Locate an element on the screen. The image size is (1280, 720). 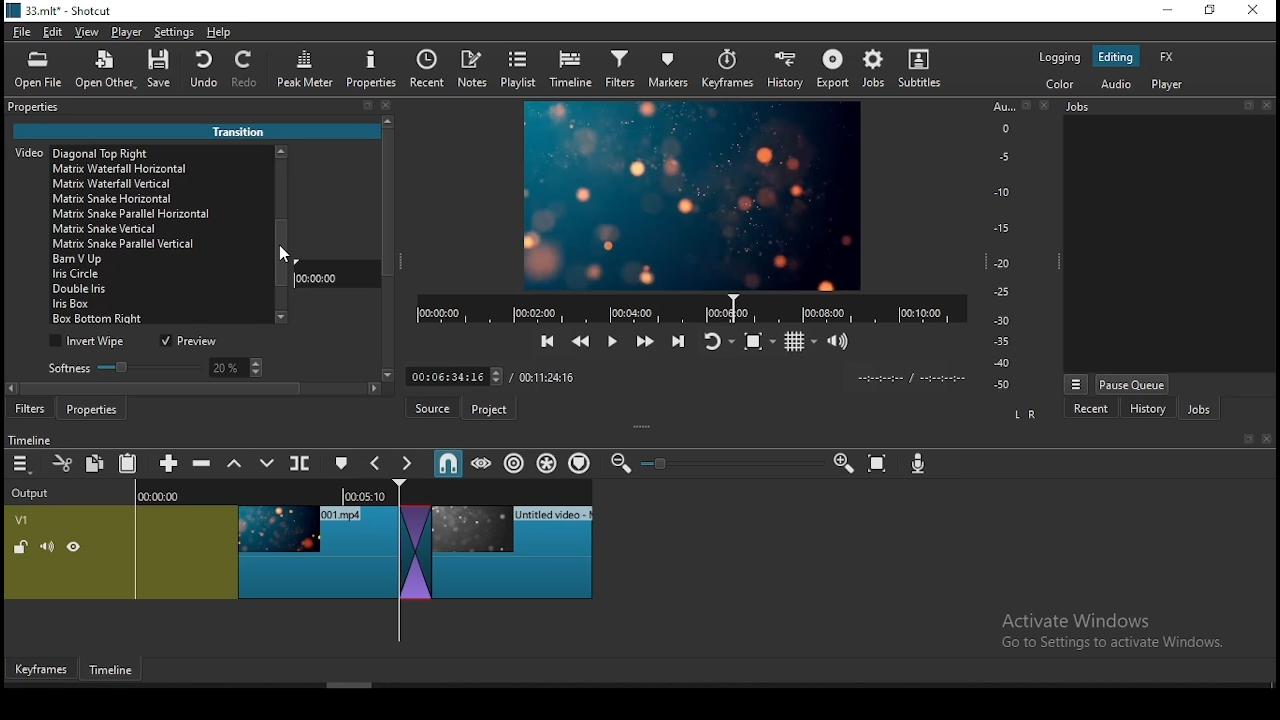
ripple markers is located at coordinates (579, 463).